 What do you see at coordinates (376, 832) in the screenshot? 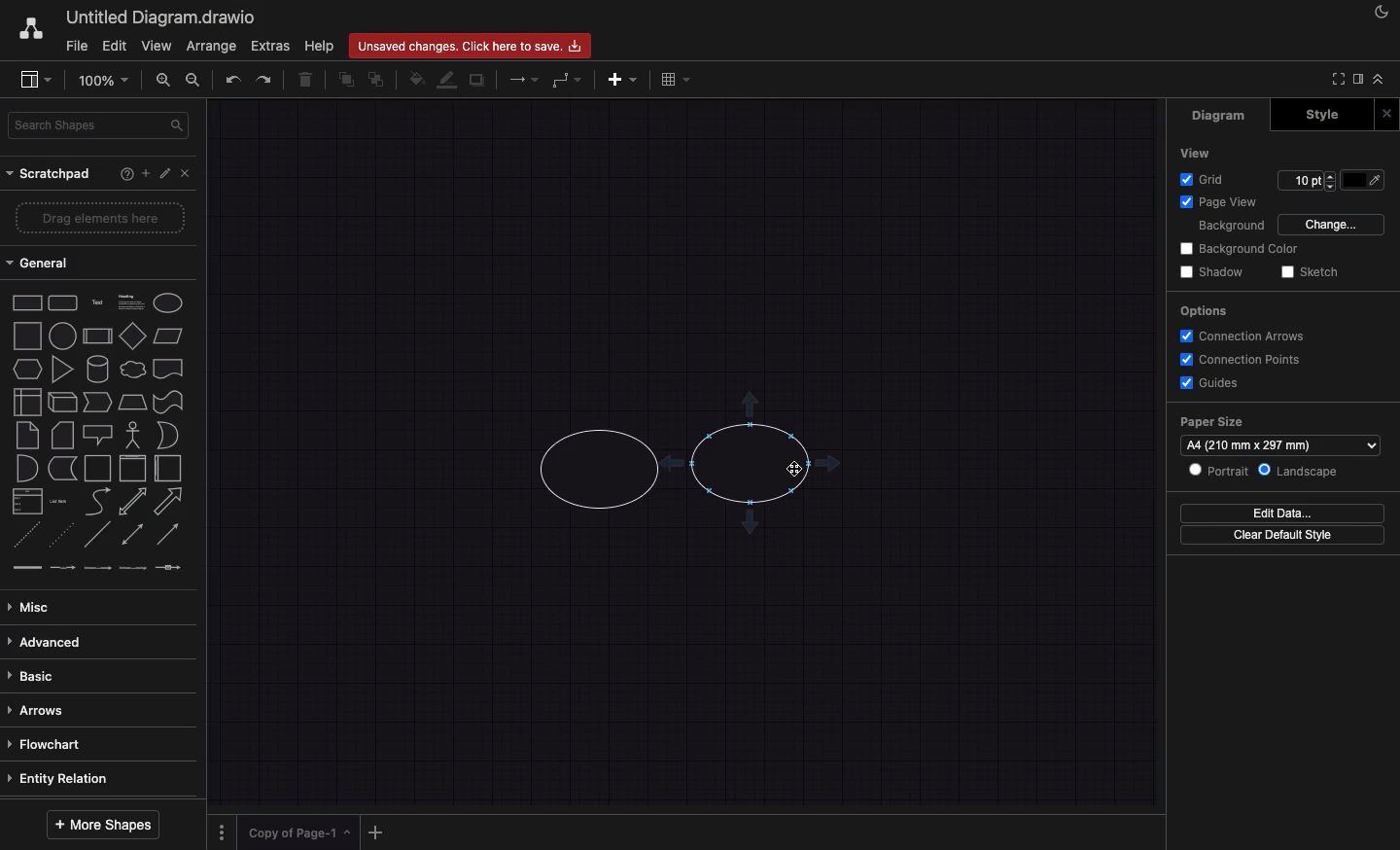
I see `add new page` at bounding box center [376, 832].